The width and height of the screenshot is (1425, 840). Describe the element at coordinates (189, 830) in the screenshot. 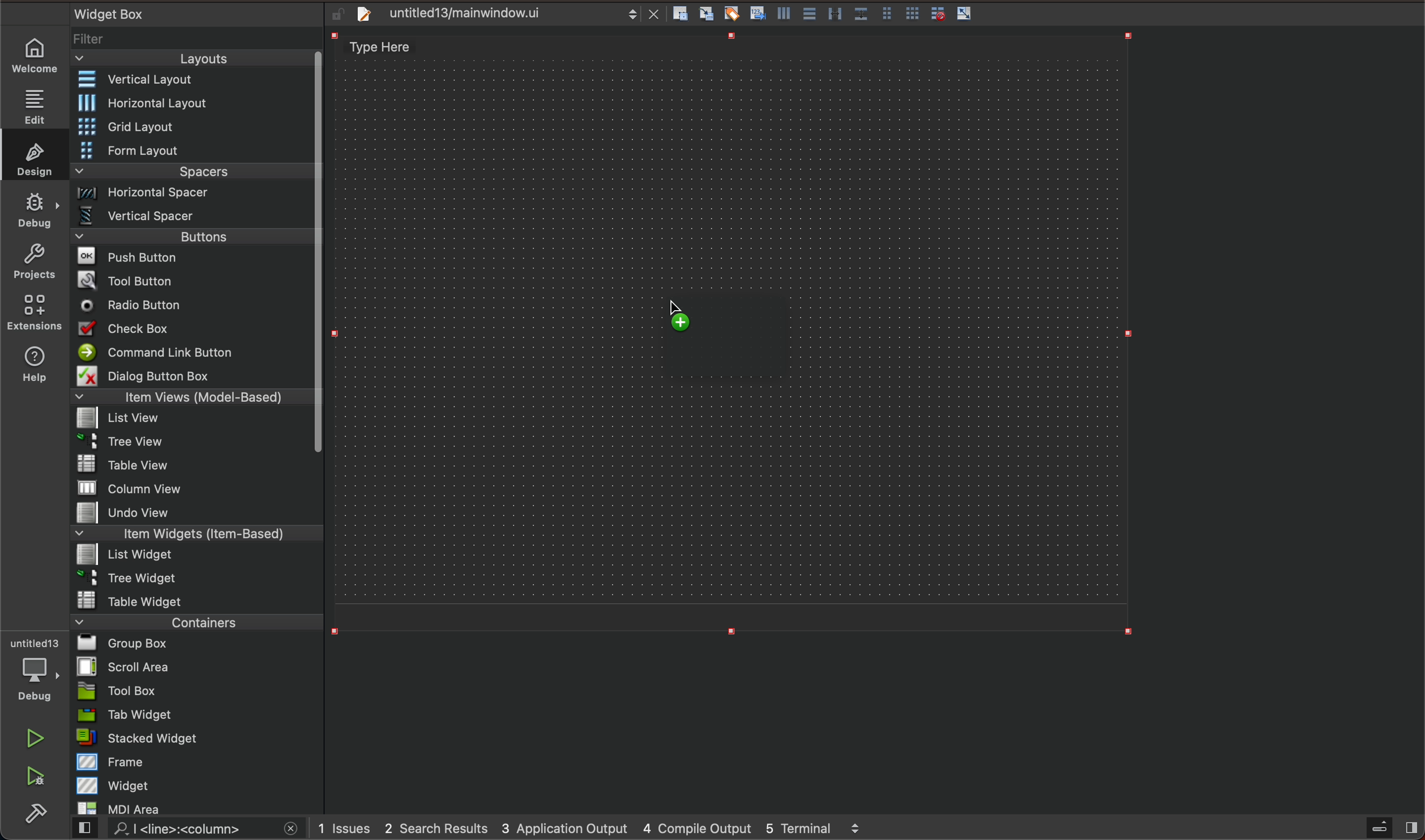

I see `search` at that location.